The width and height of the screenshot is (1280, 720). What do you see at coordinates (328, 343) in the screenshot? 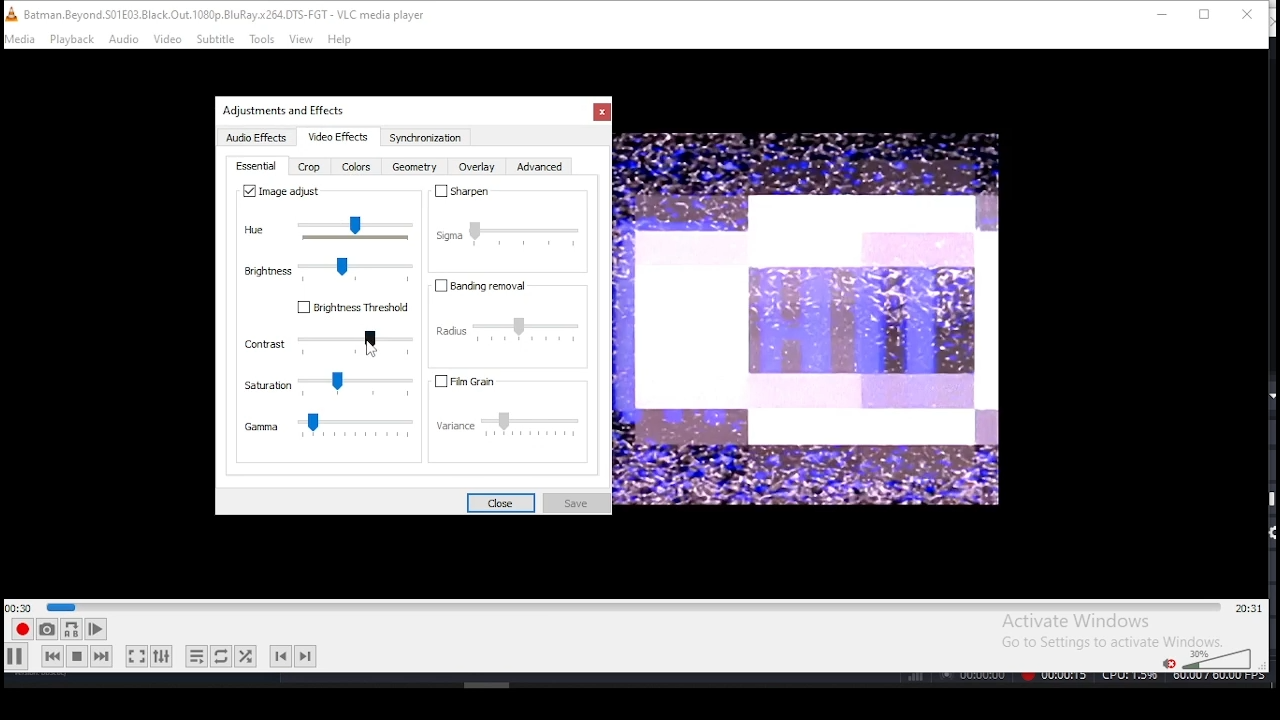
I see `contrast settings slider` at bounding box center [328, 343].